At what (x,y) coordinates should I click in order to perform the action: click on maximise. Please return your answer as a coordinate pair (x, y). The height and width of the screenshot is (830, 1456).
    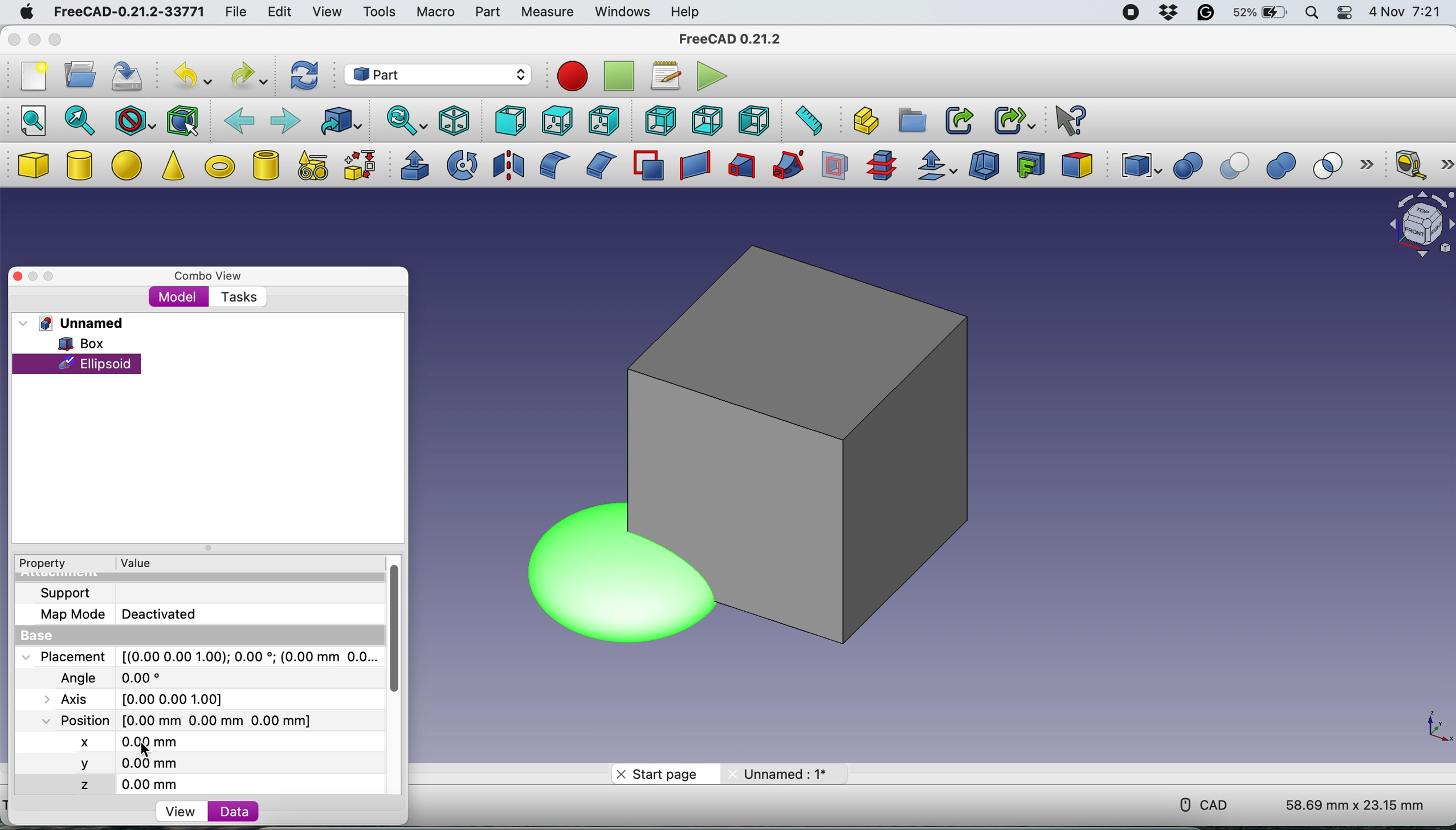
    Looking at the image, I should click on (55, 40).